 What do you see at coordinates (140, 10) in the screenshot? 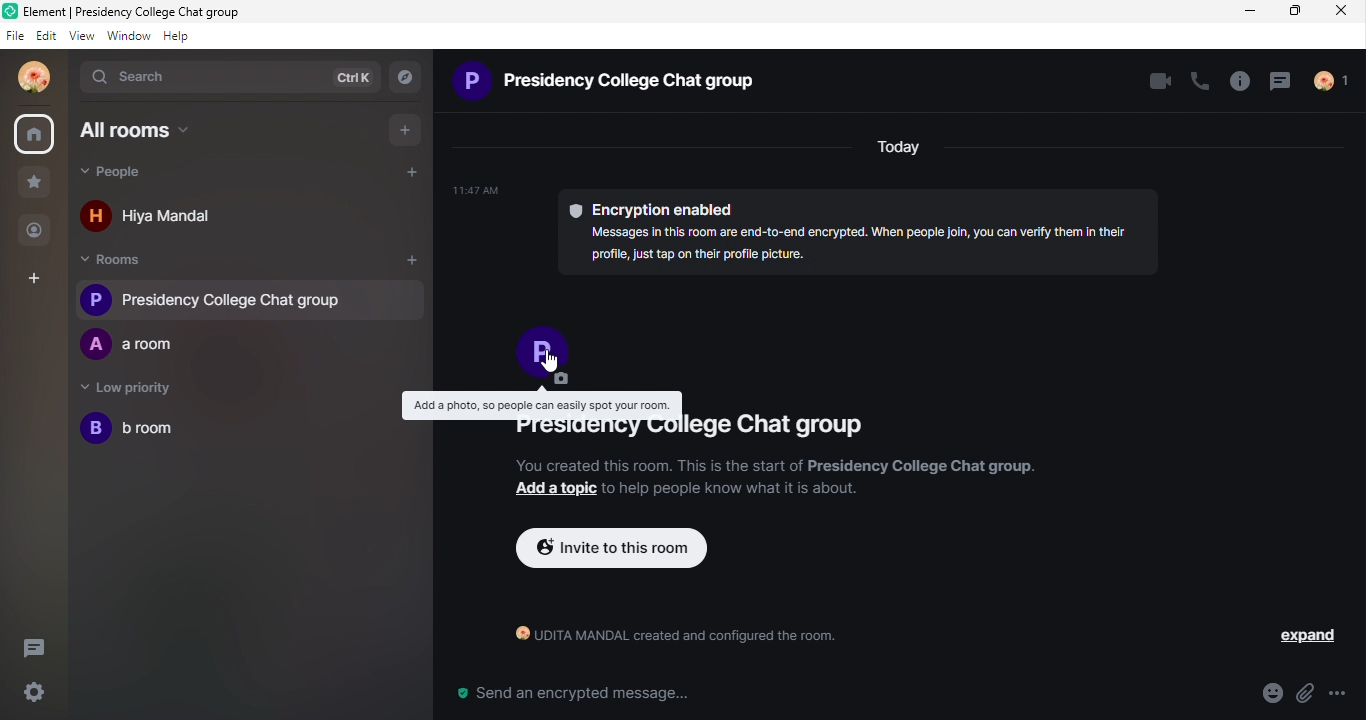
I see `Element | Presidency College Chat group` at bounding box center [140, 10].